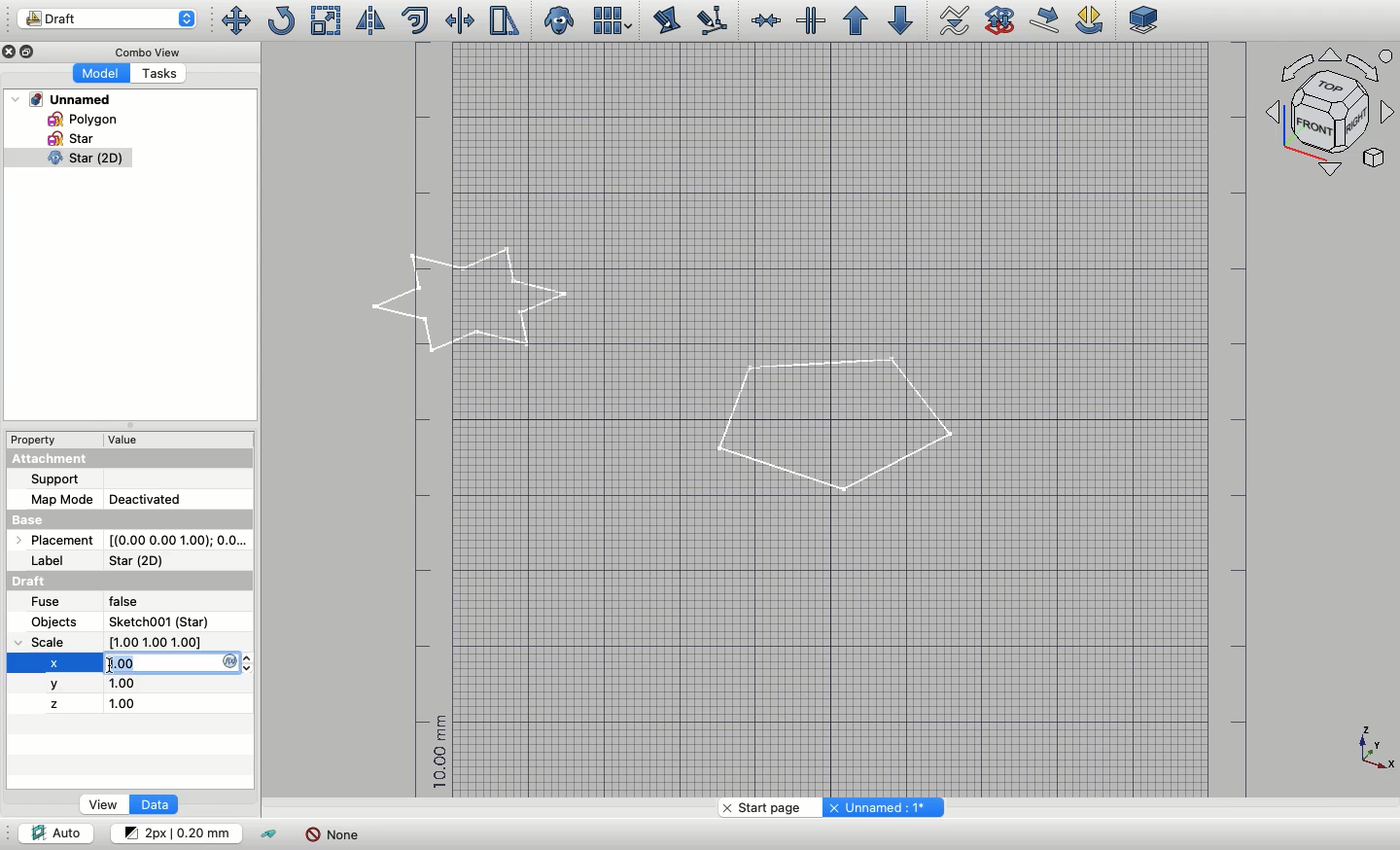  What do you see at coordinates (129, 519) in the screenshot?
I see `Base` at bounding box center [129, 519].